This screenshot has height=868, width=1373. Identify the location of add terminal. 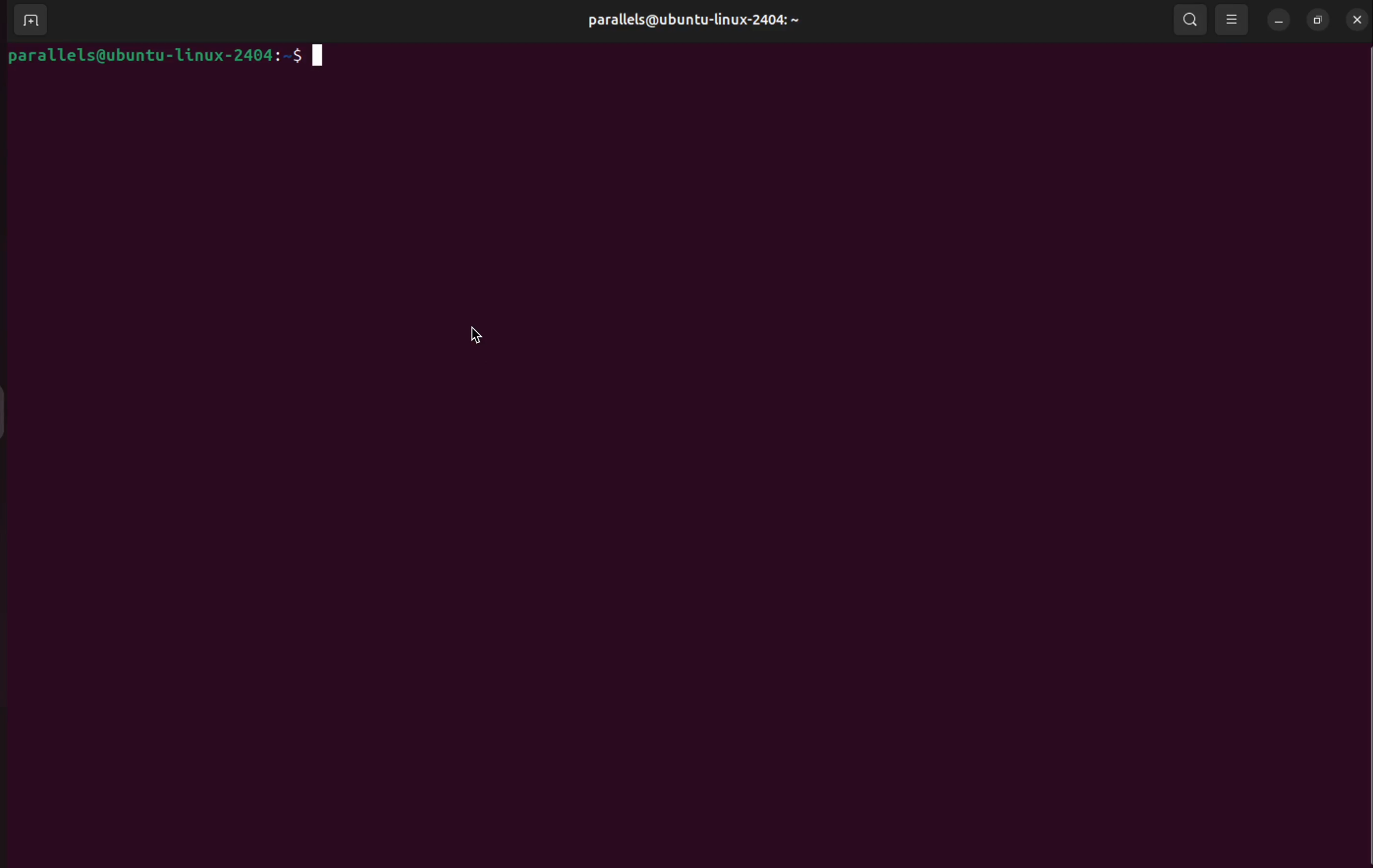
(27, 21).